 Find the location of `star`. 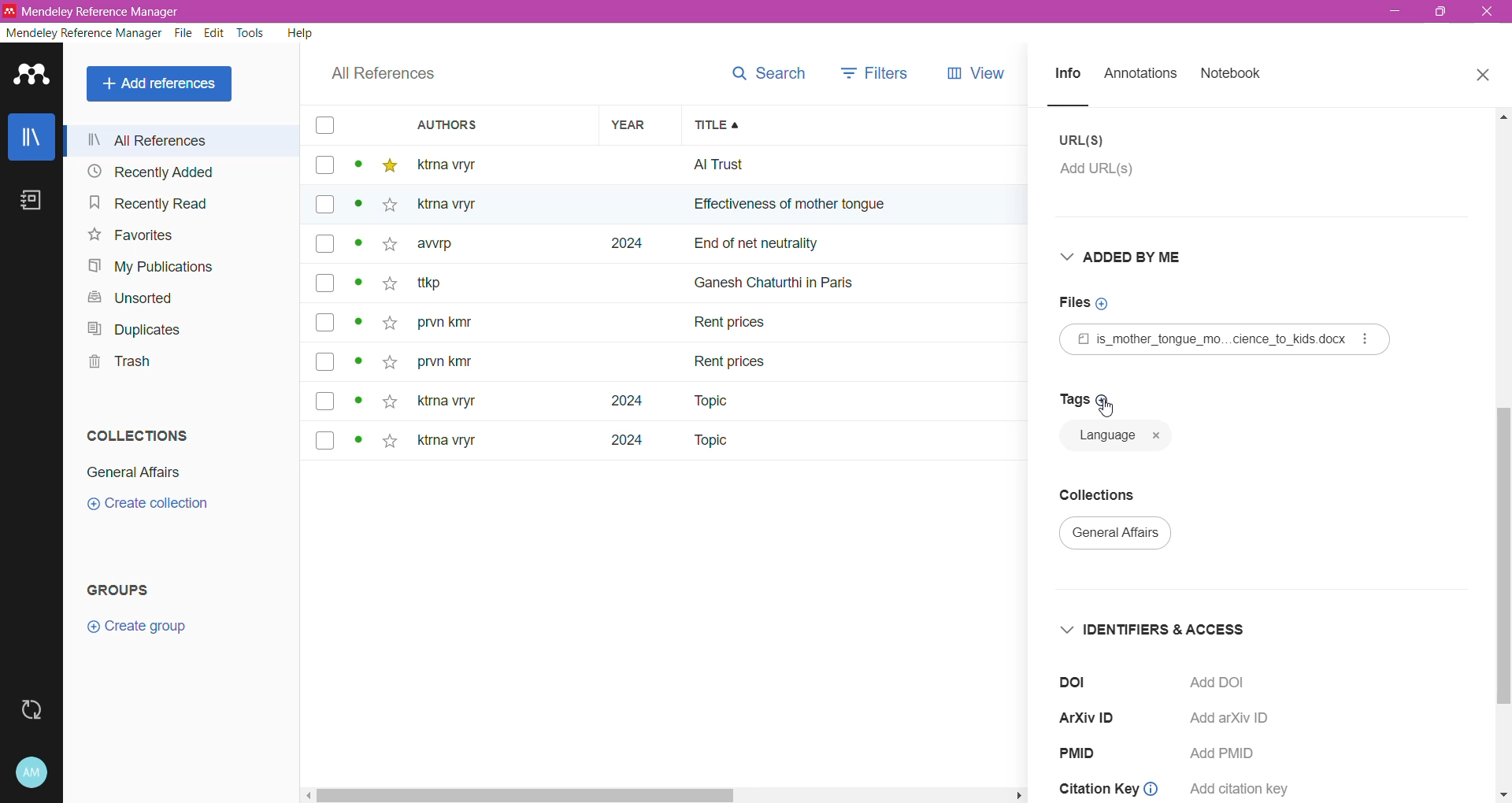

star is located at coordinates (386, 208).